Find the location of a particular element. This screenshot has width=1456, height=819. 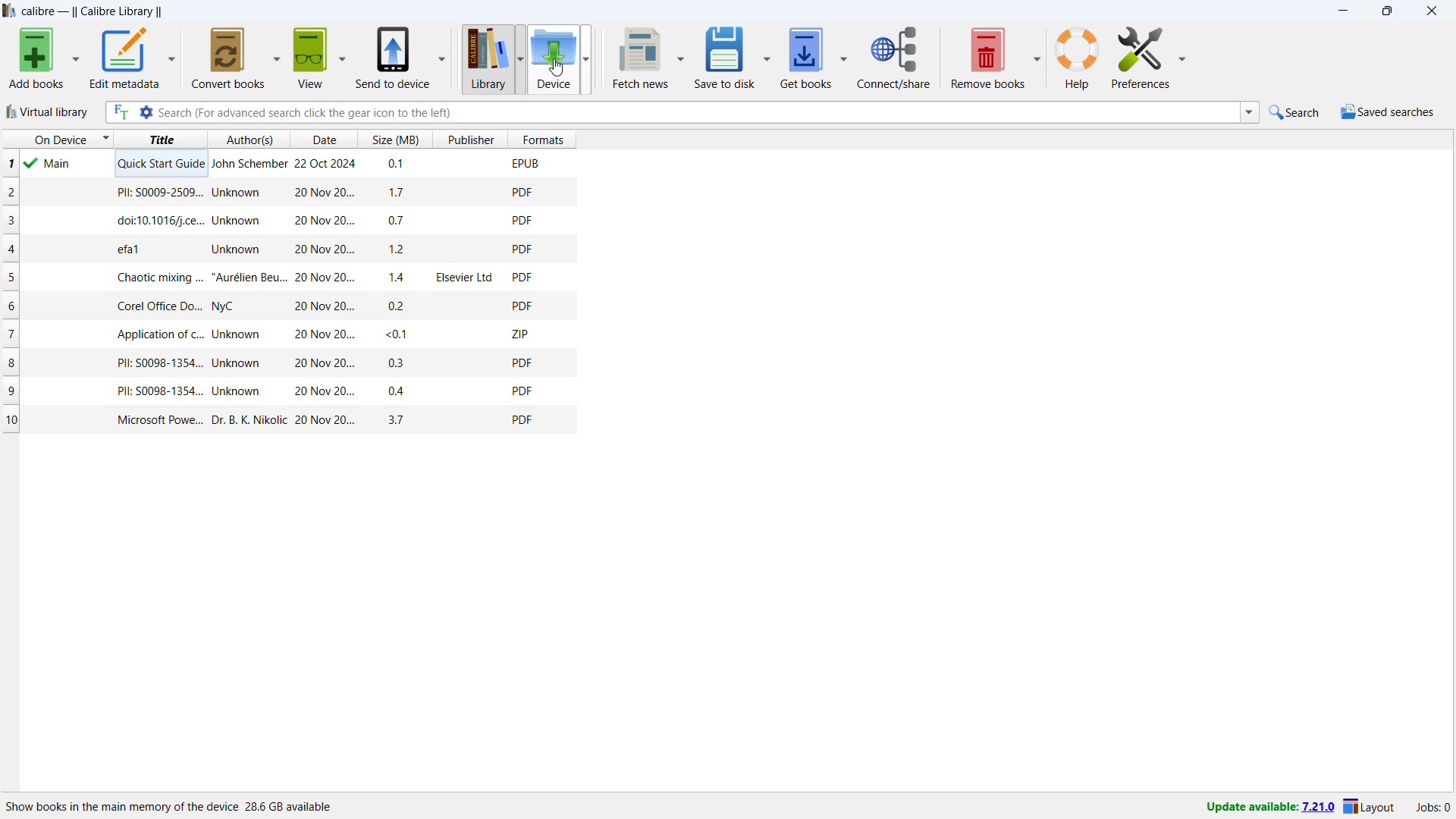

active jobs is located at coordinates (1432, 809).